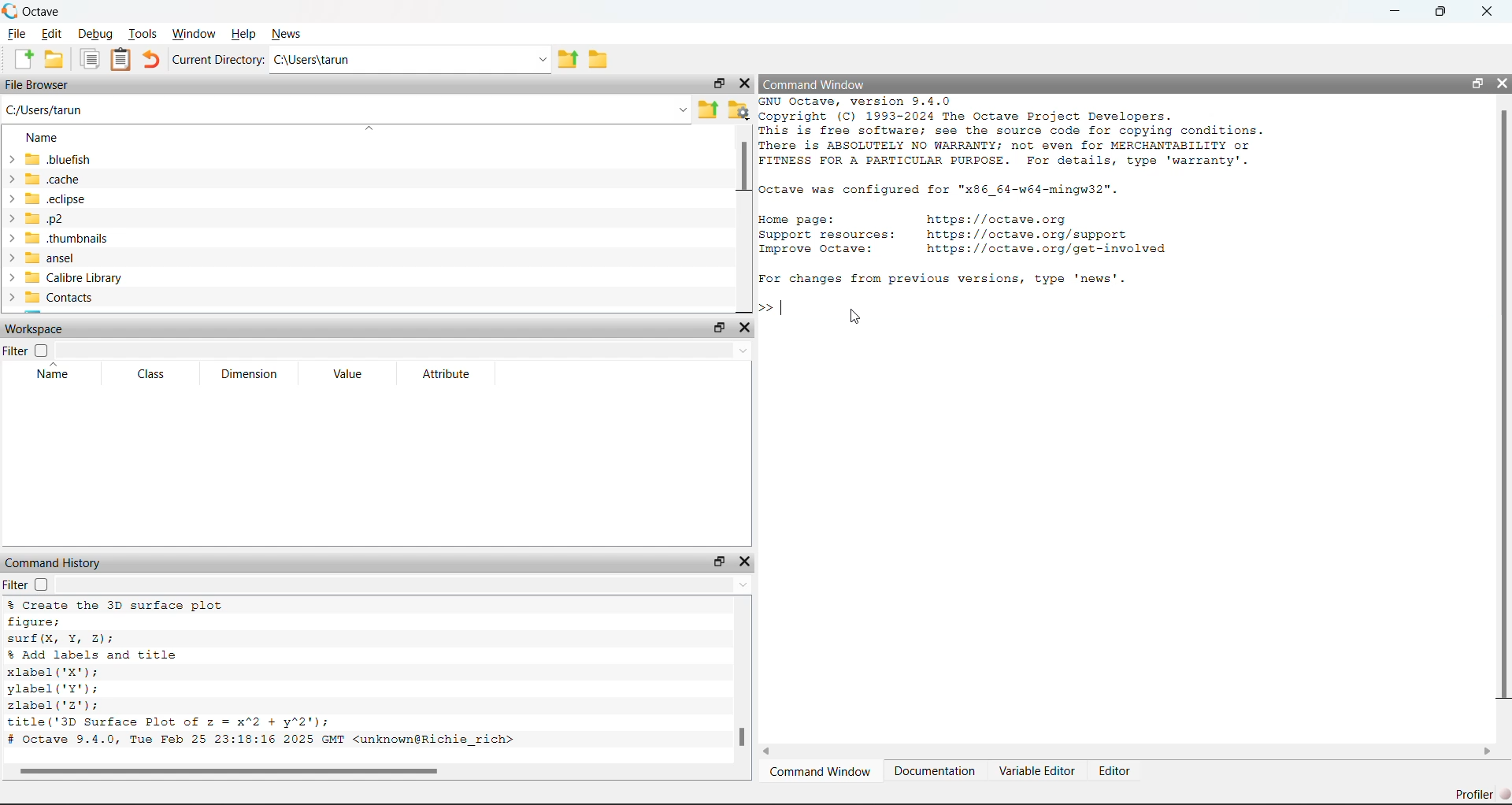  I want to click on C:/Users/tarun, so click(347, 109).